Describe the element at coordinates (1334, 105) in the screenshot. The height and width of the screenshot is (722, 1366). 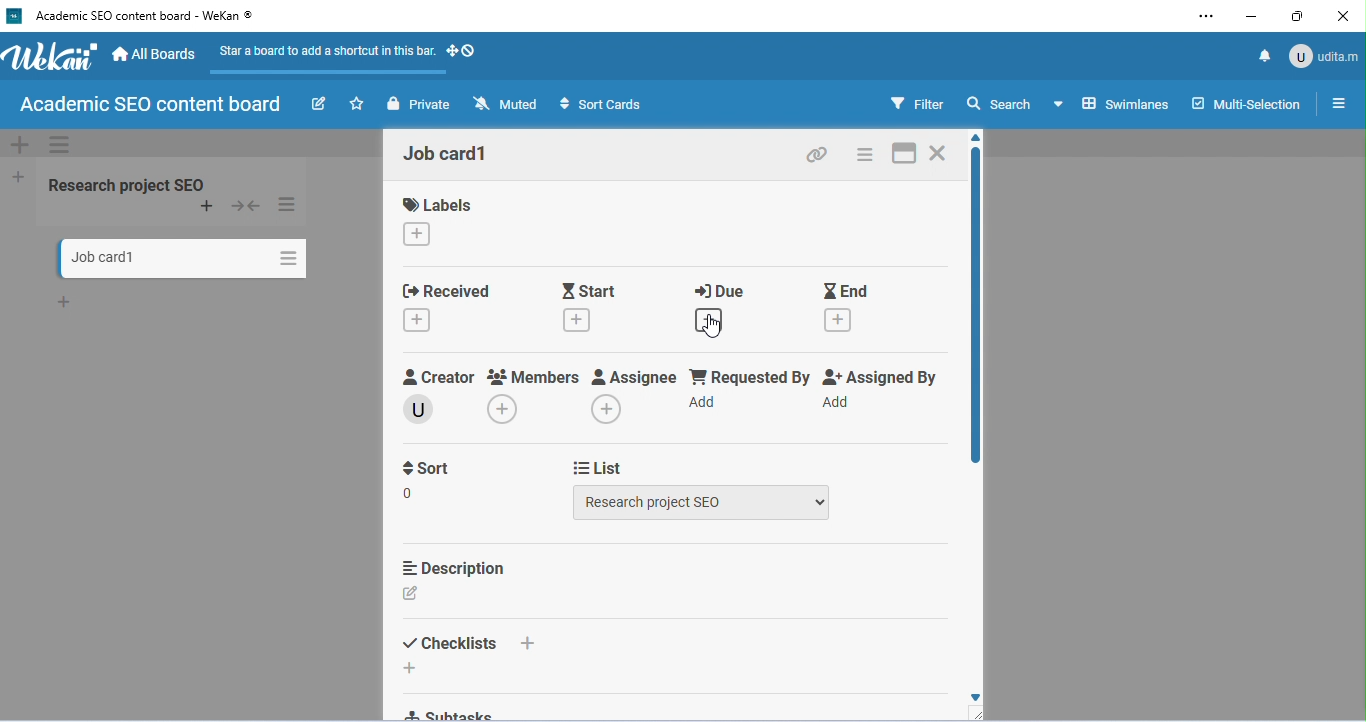
I see `open or close side bar` at that location.